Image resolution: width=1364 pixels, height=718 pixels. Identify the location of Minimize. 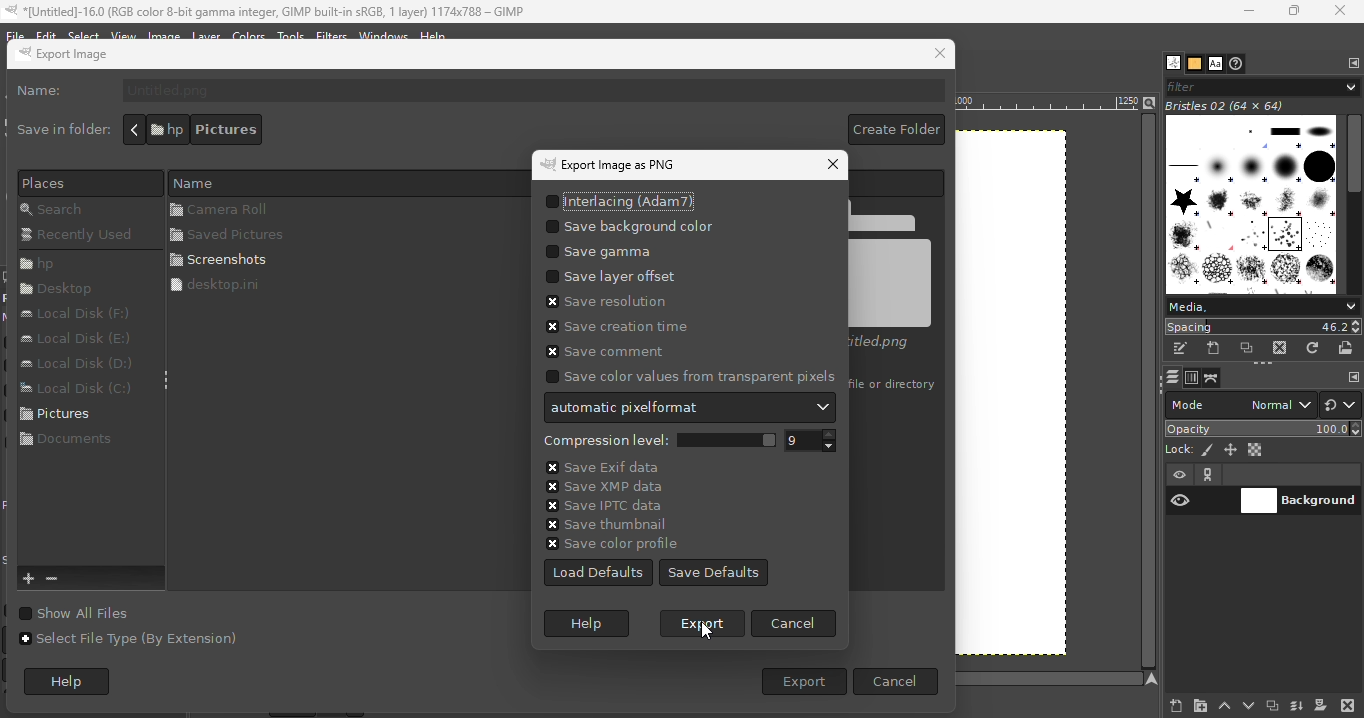
(1244, 11).